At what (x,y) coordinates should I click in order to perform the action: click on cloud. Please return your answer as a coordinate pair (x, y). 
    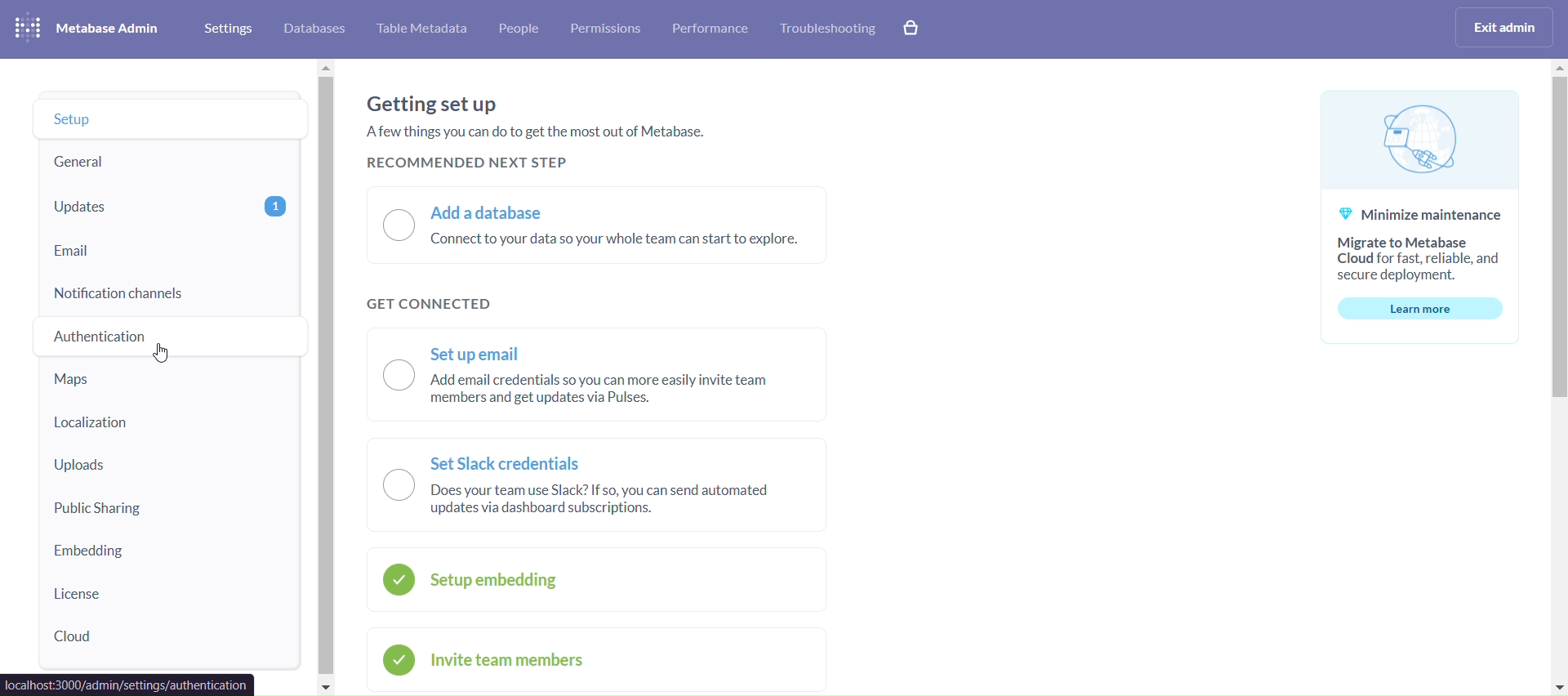
    Looking at the image, I should click on (171, 639).